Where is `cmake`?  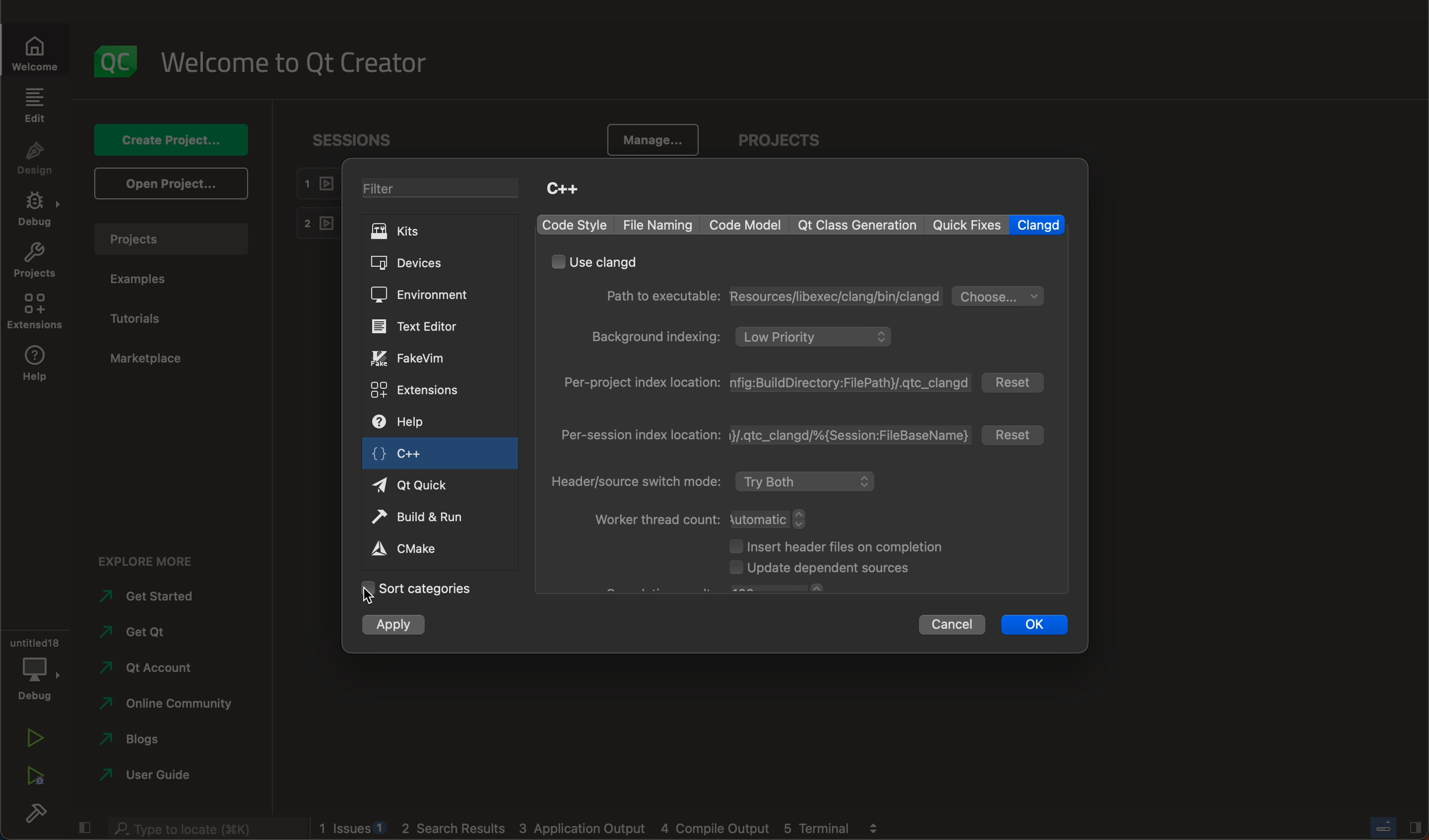
cmake is located at coordinates (416, 550).